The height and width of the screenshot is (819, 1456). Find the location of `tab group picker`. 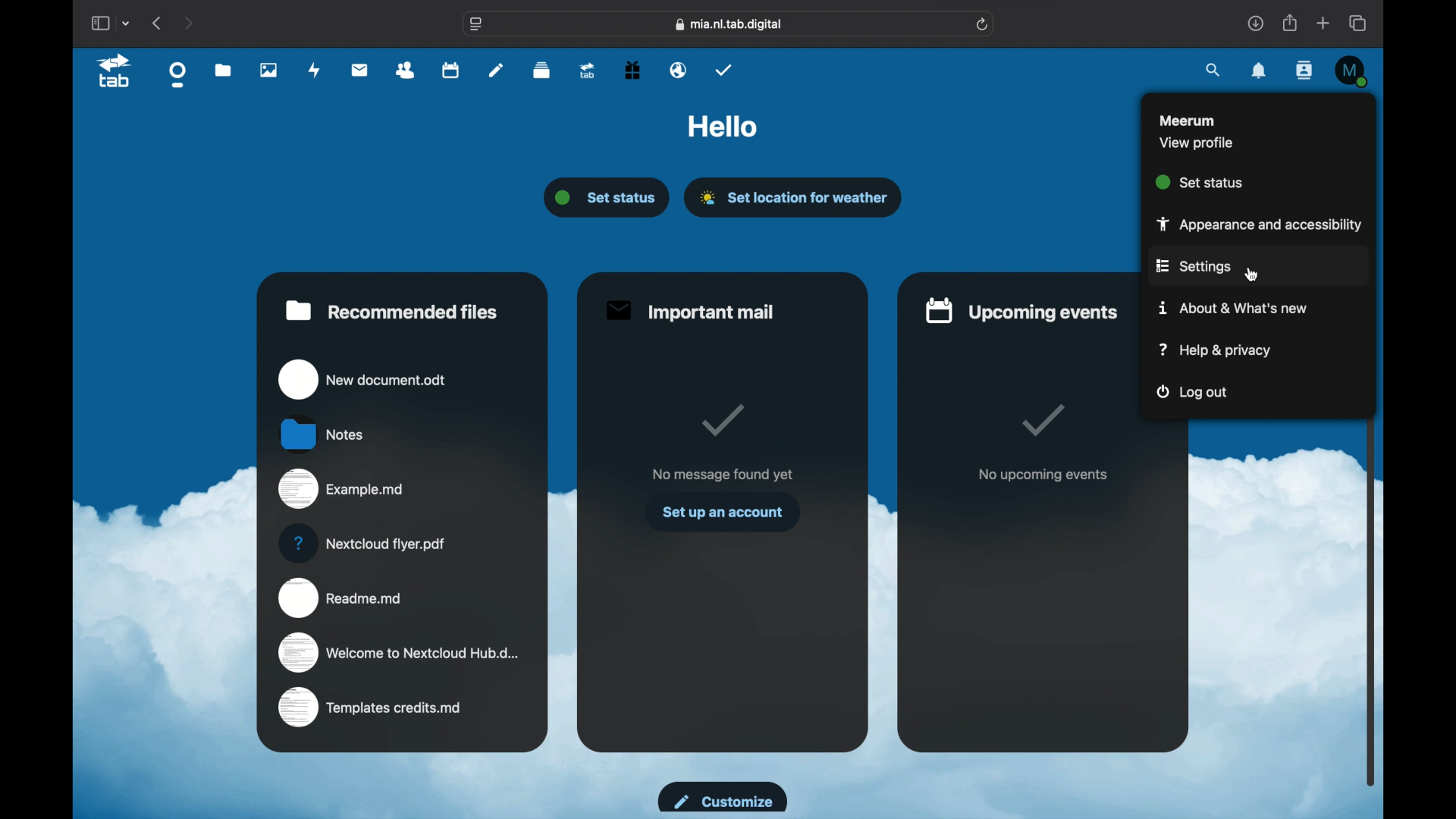

tab group picker is located at coordinates (128, 24).